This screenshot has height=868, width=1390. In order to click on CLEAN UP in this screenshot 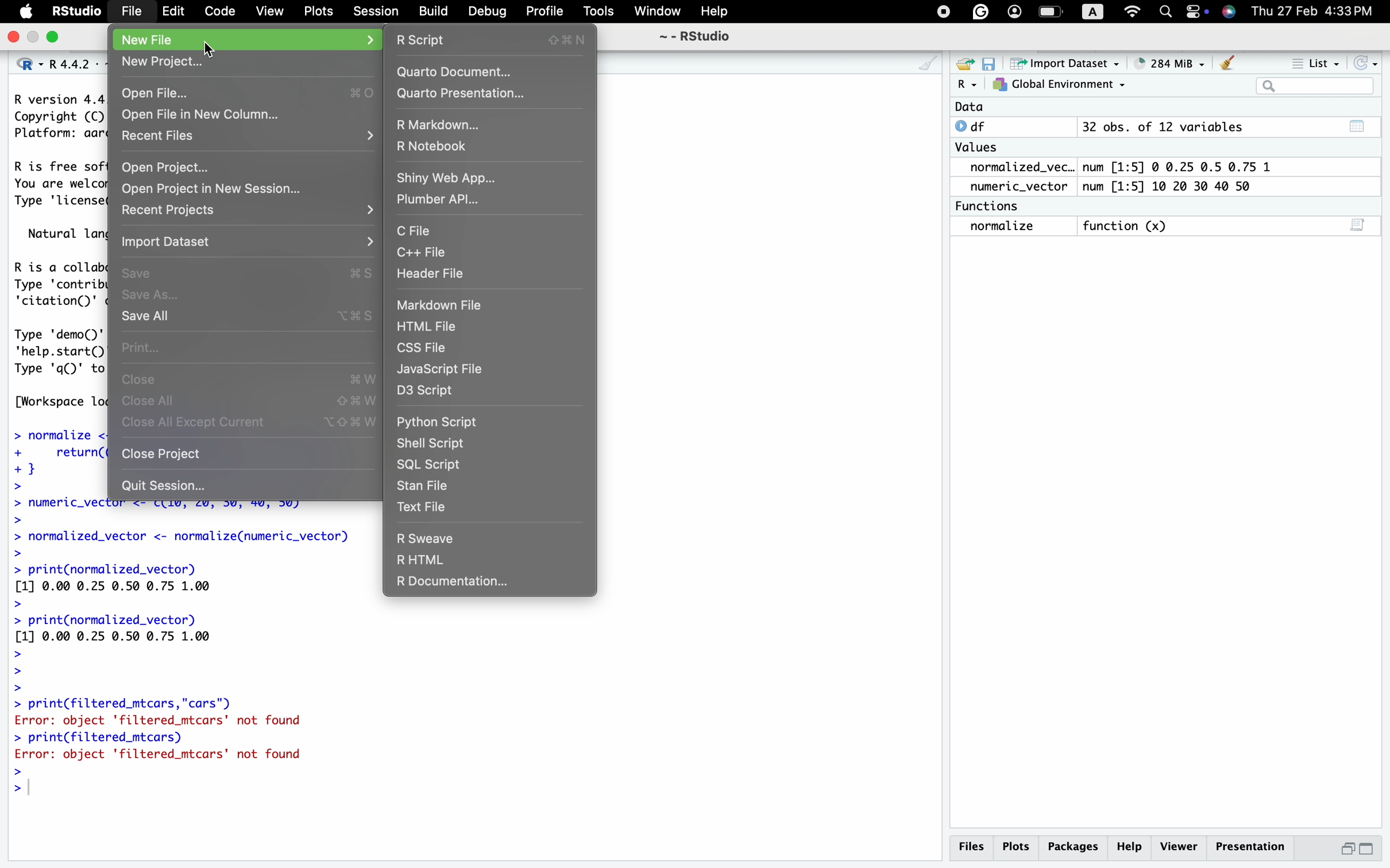, I will do `click(1228, 62)`.